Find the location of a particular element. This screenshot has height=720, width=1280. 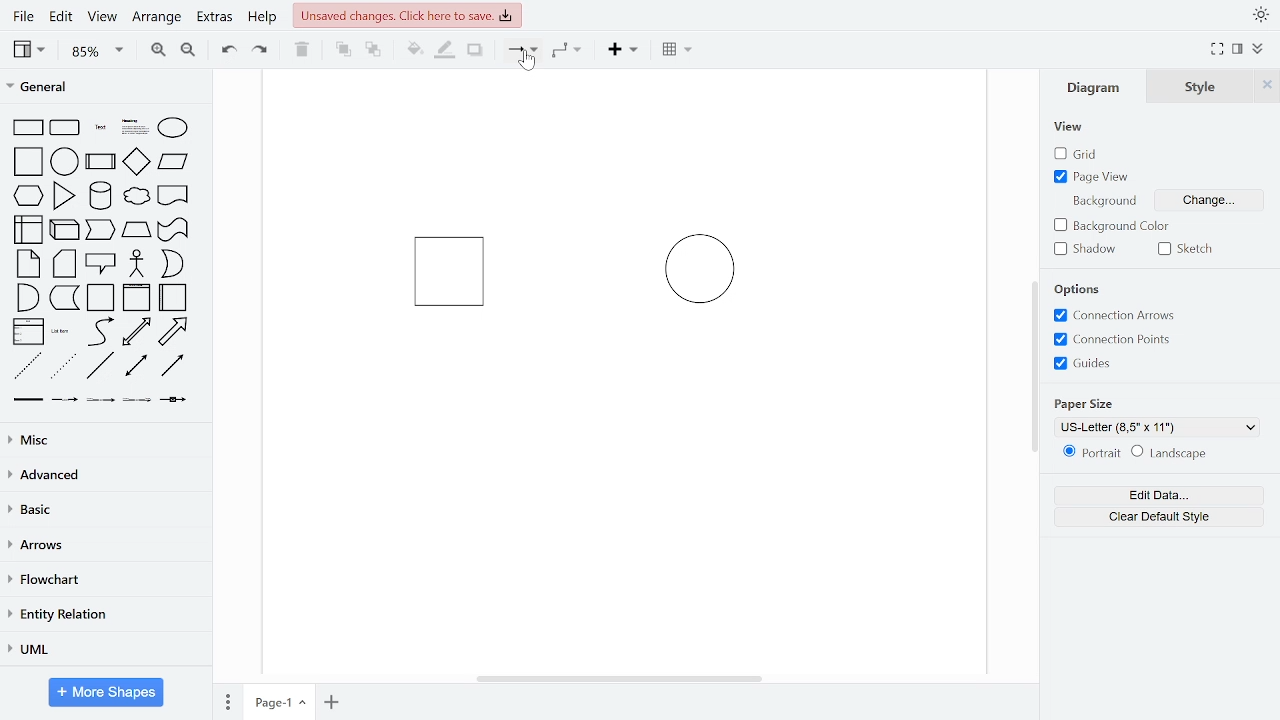

edit is located at coordinates (60, 18).